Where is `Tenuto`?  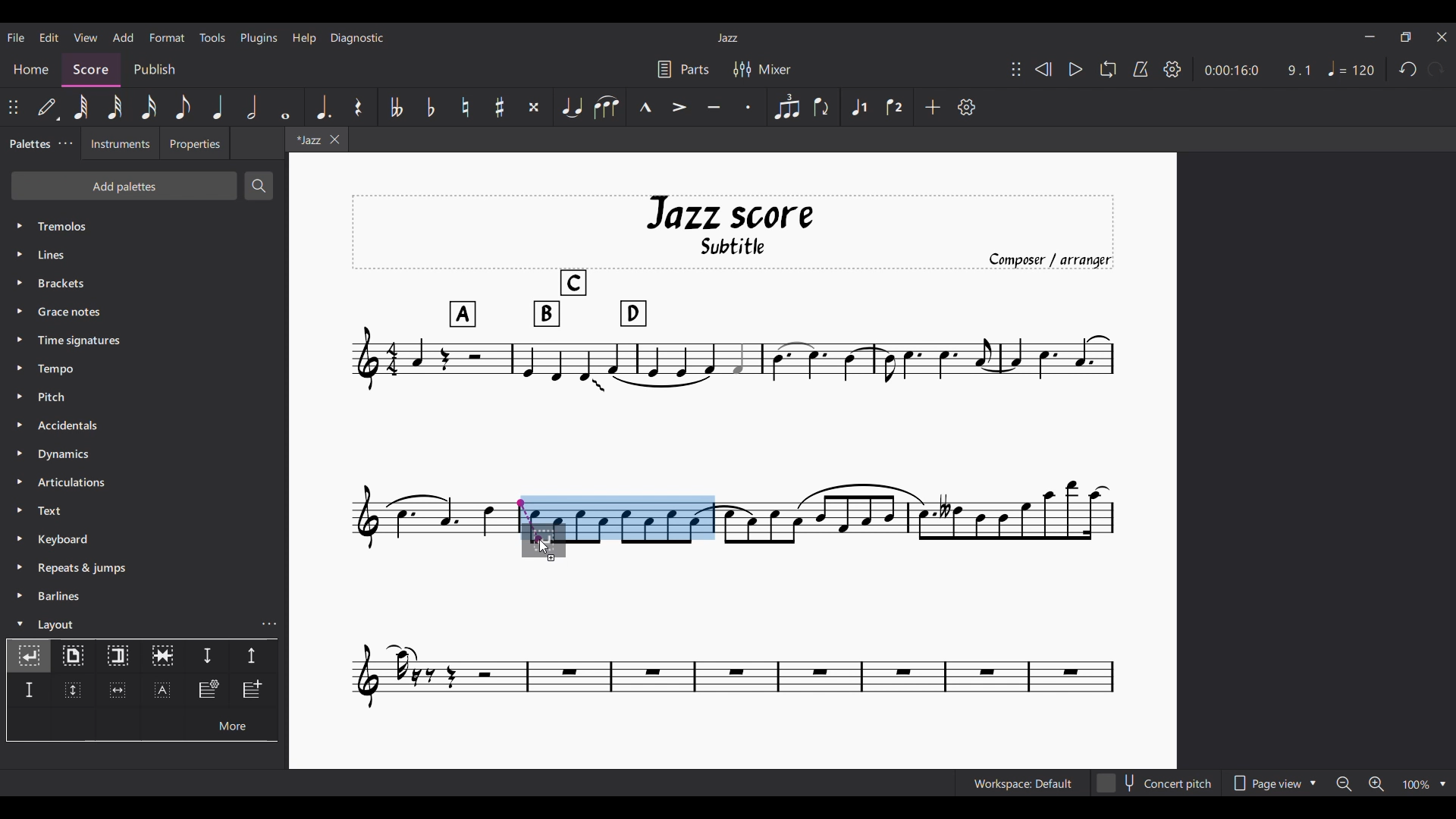 Tenuto is located at coordinates (714, 107).